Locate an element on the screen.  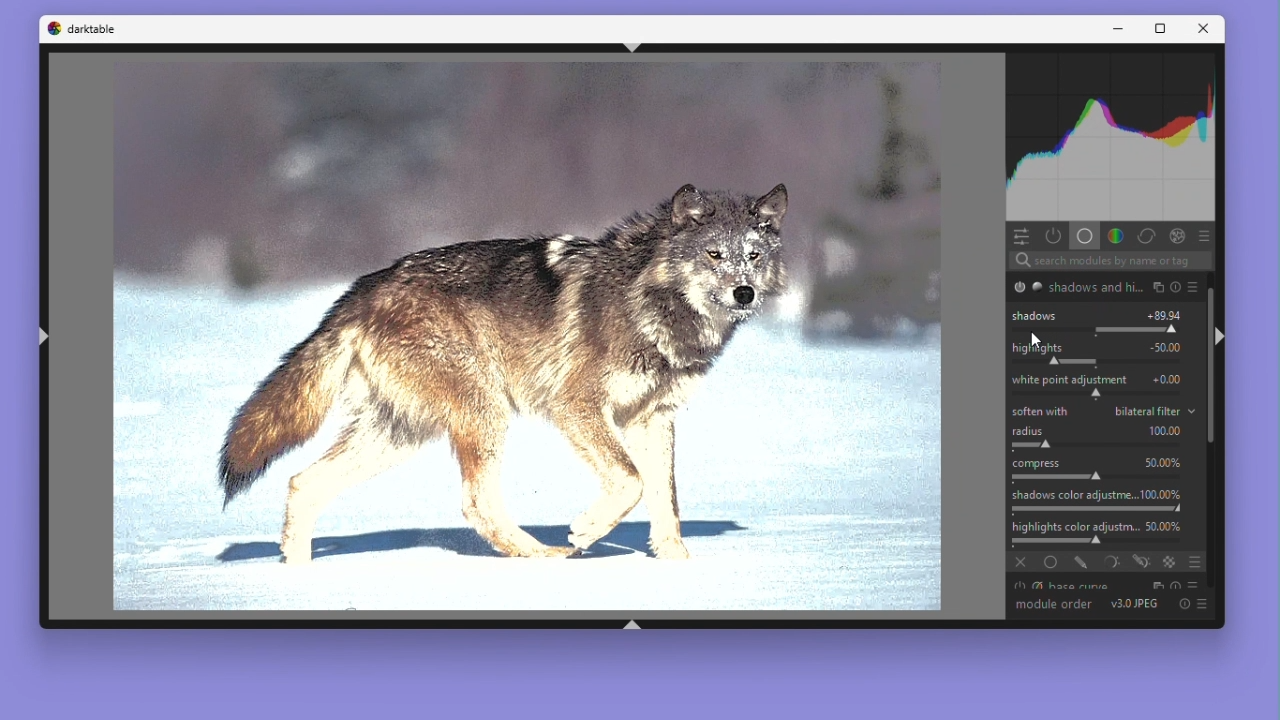
bilateral filter is located at coordinates (1154, 410).